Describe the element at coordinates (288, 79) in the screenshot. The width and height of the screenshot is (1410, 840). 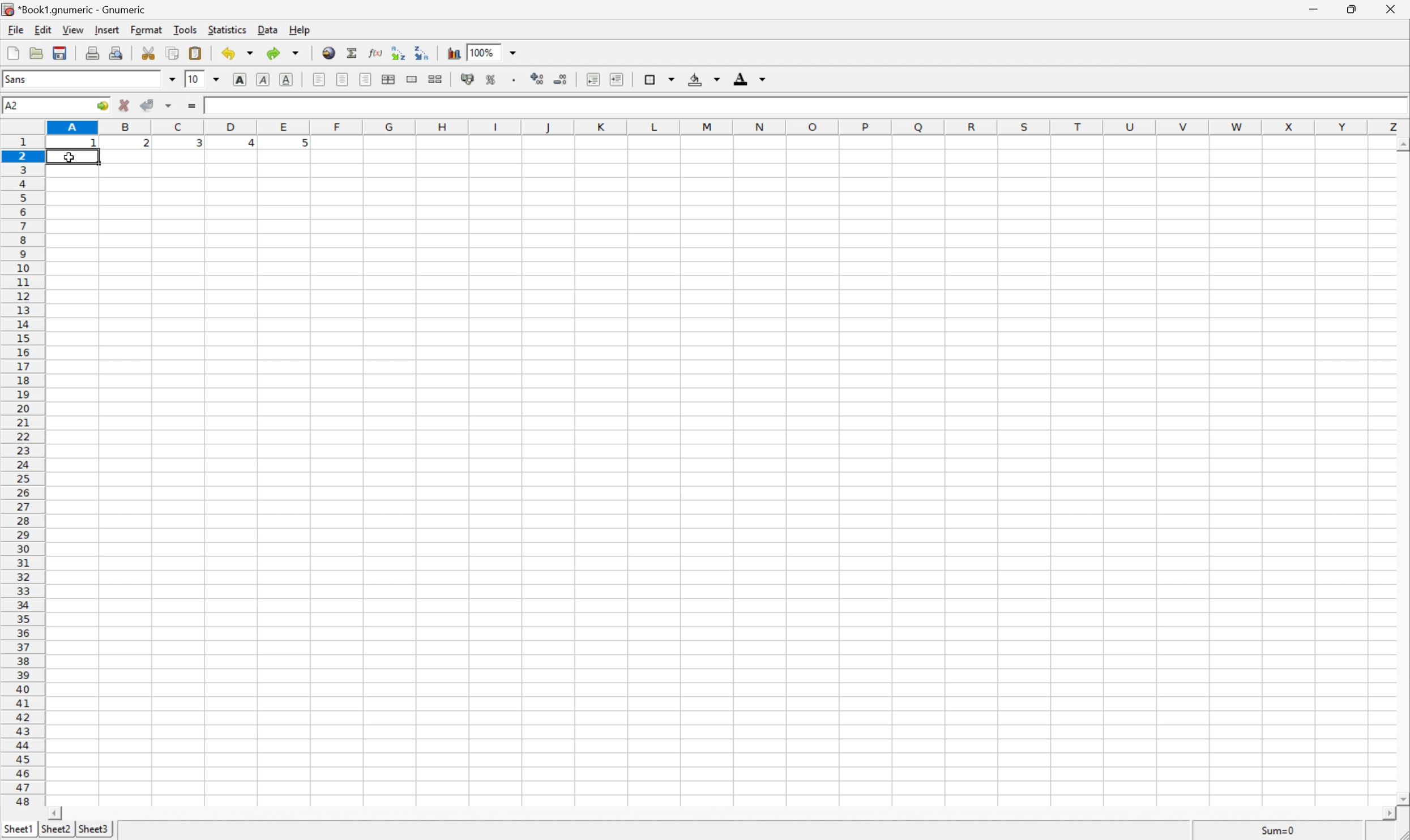
I see `underline` at that location.